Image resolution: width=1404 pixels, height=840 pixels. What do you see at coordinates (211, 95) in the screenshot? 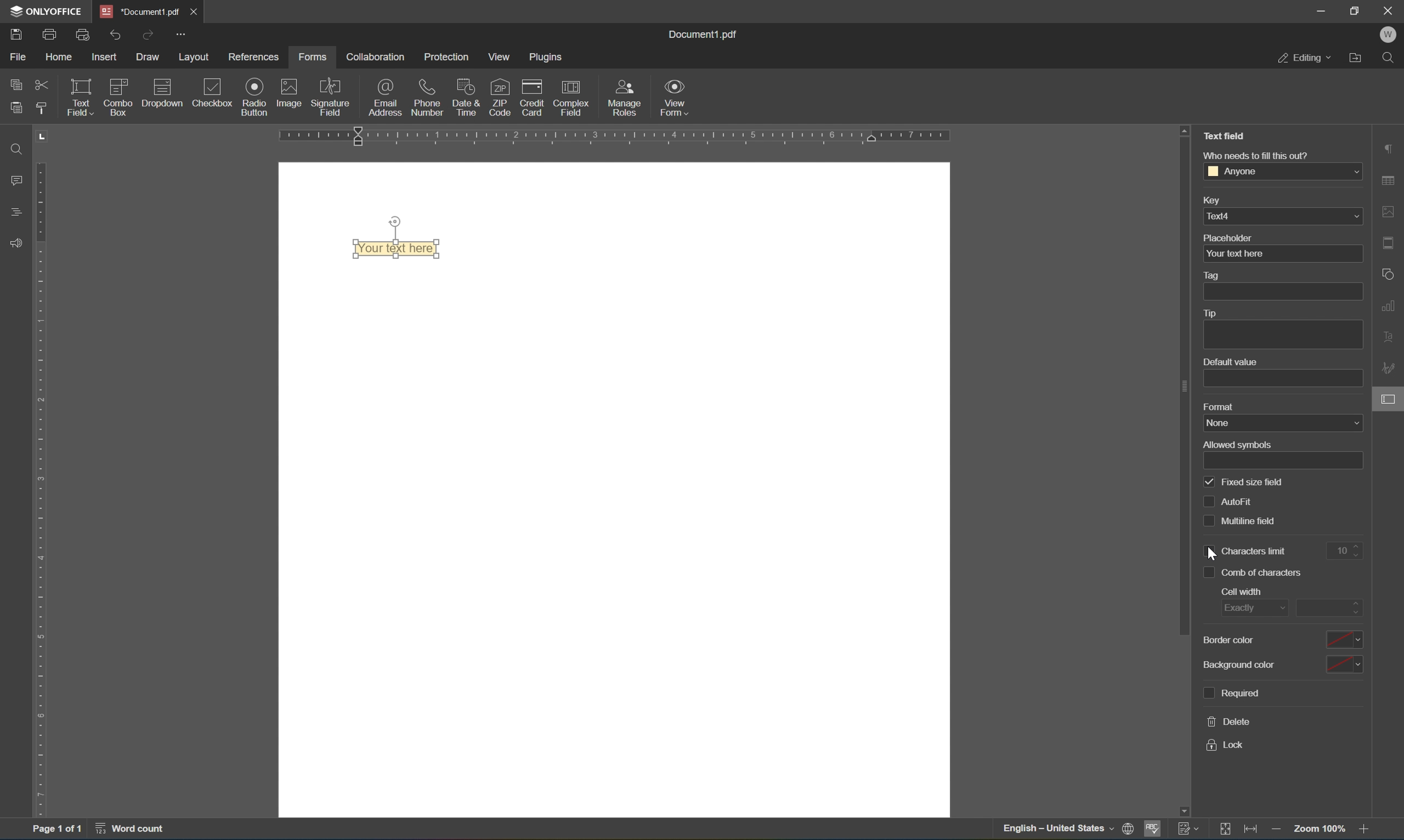
I see `checkbox` at bounding box center [211, 95].